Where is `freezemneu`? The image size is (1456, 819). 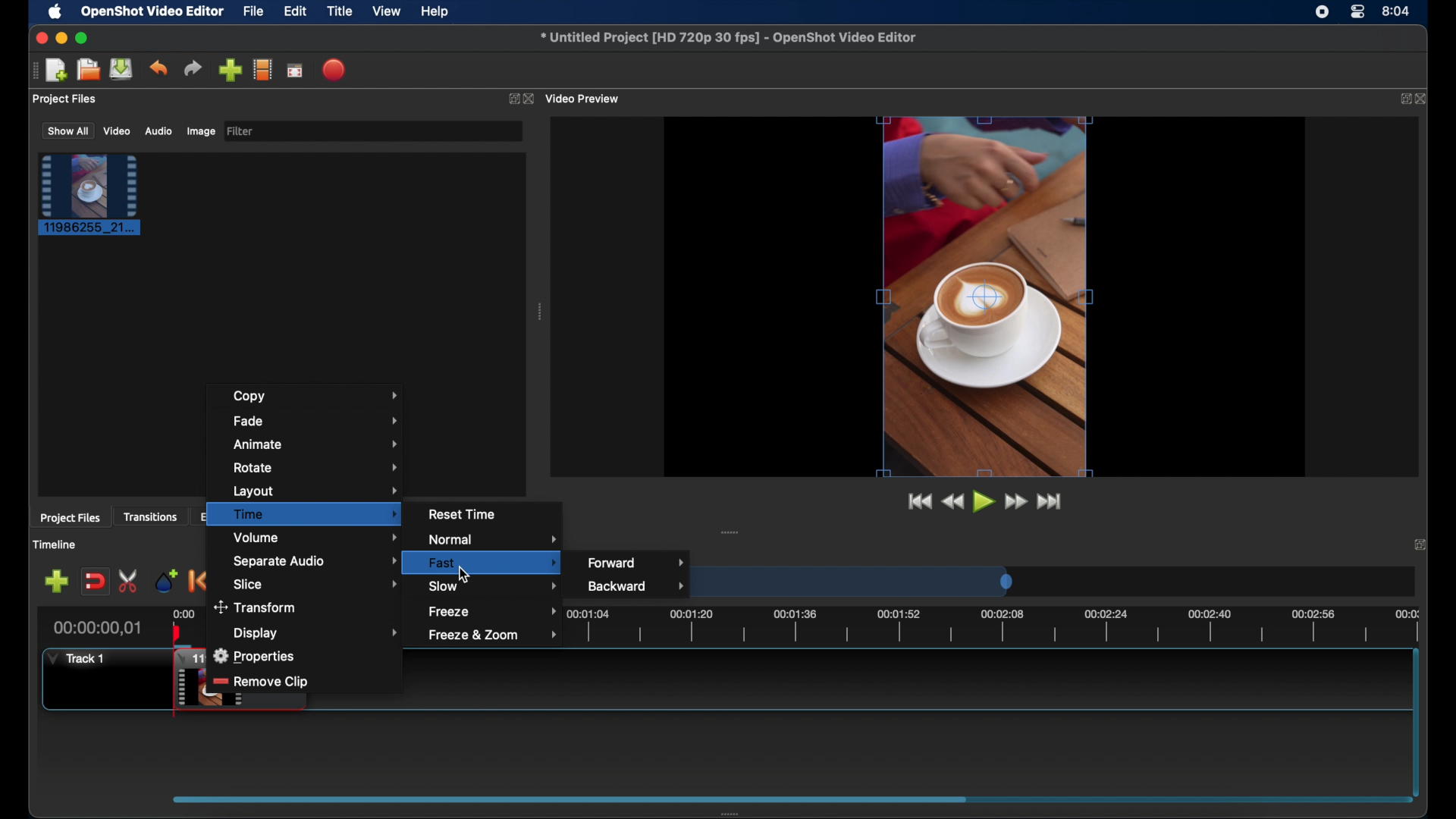
freezemneu is located at coordinates (496, 611).